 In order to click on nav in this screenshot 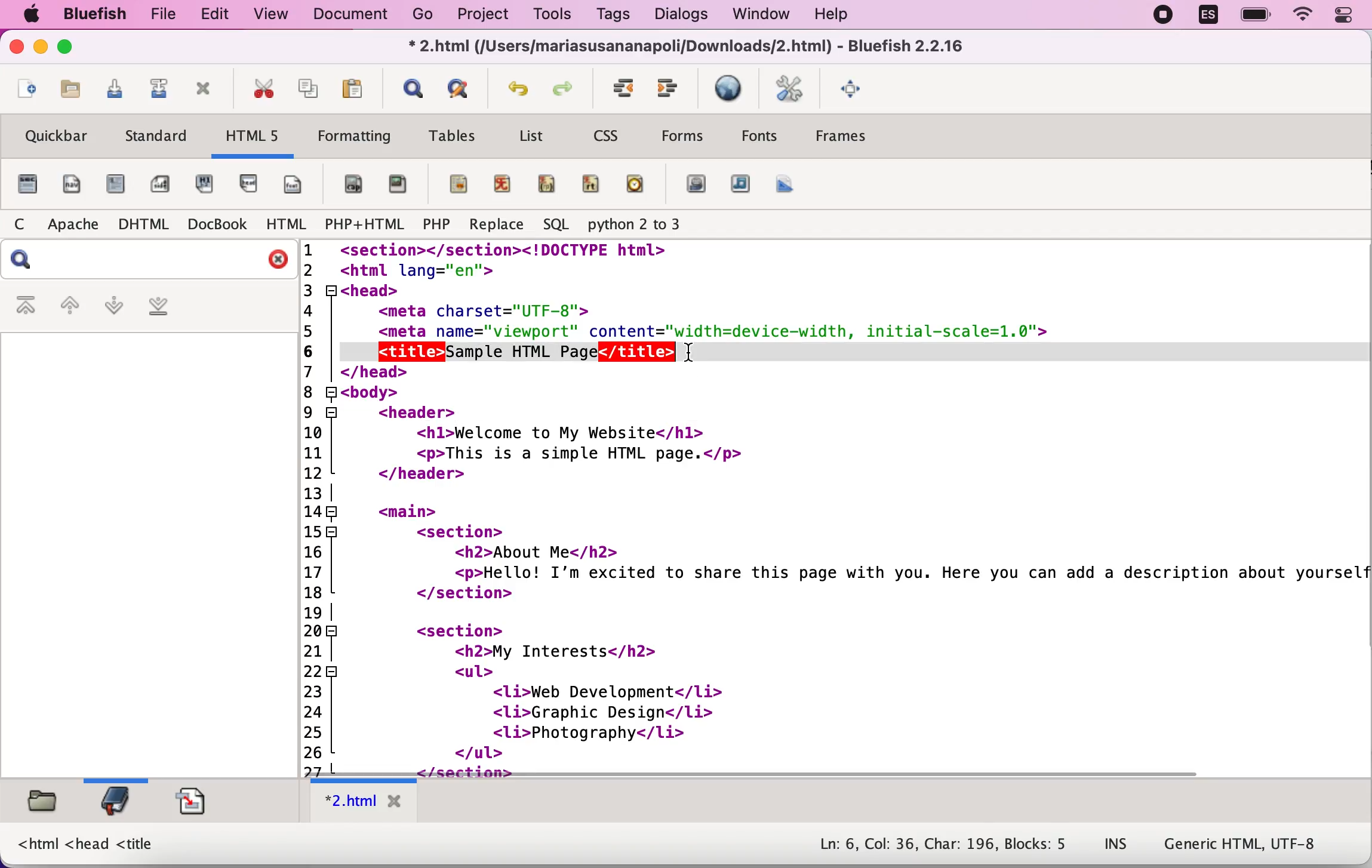, I will do `click(75, 184)`.